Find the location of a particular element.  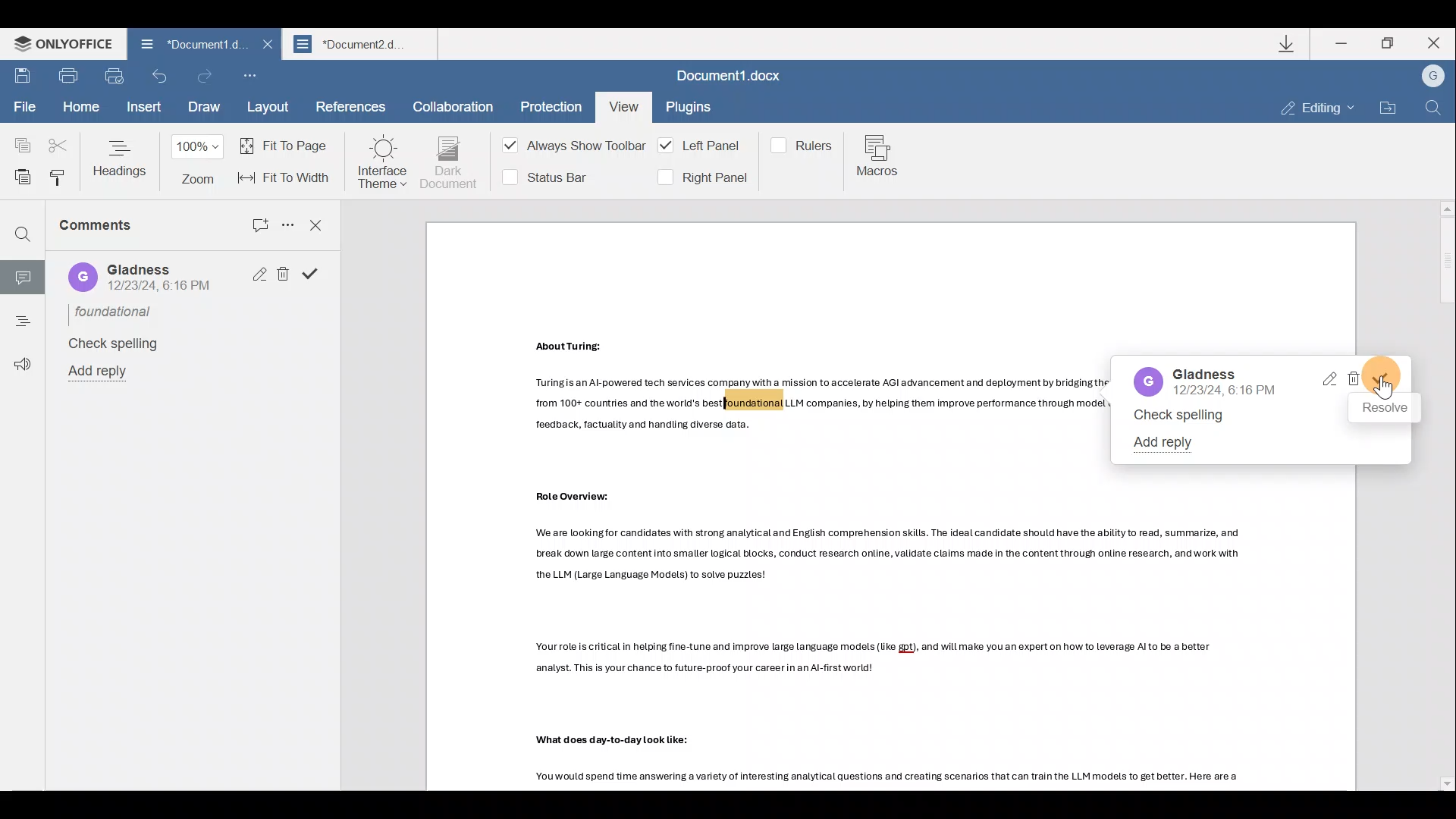

check spelling is located at coordinates (1181, 416).